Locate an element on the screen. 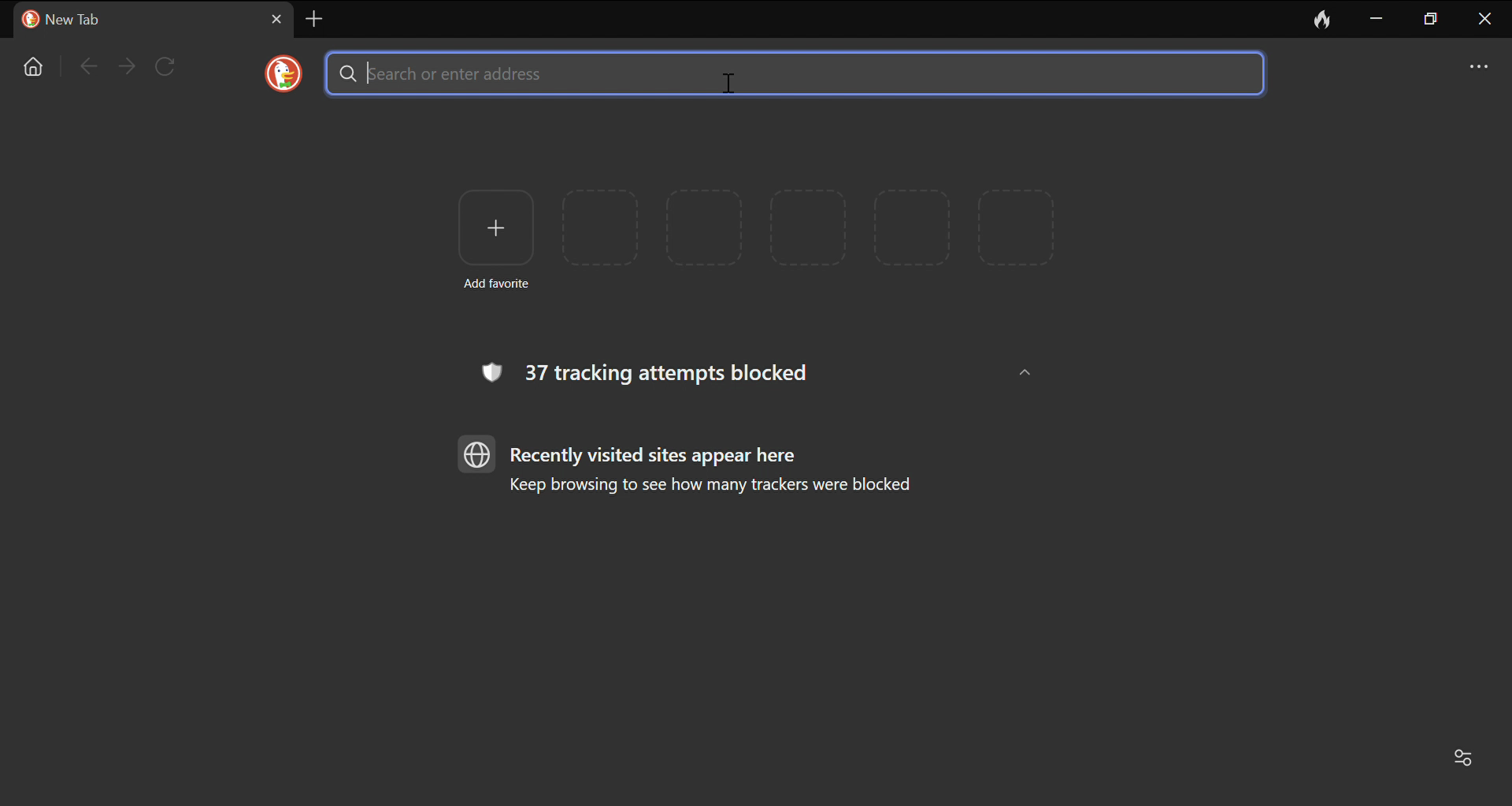 The image size is (1512, 806). browser logo is located at coordinates (478, 453).